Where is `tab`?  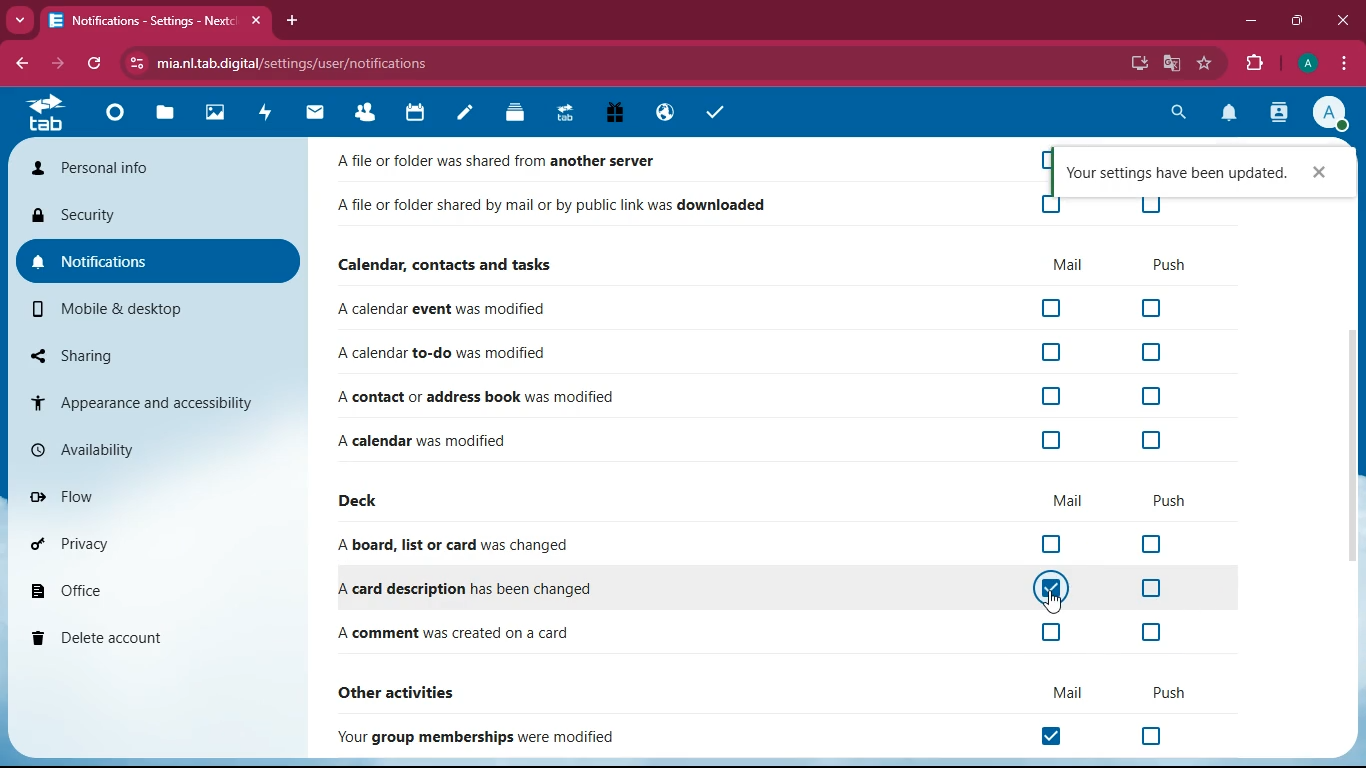 tab is located at coordinates (564, 112).